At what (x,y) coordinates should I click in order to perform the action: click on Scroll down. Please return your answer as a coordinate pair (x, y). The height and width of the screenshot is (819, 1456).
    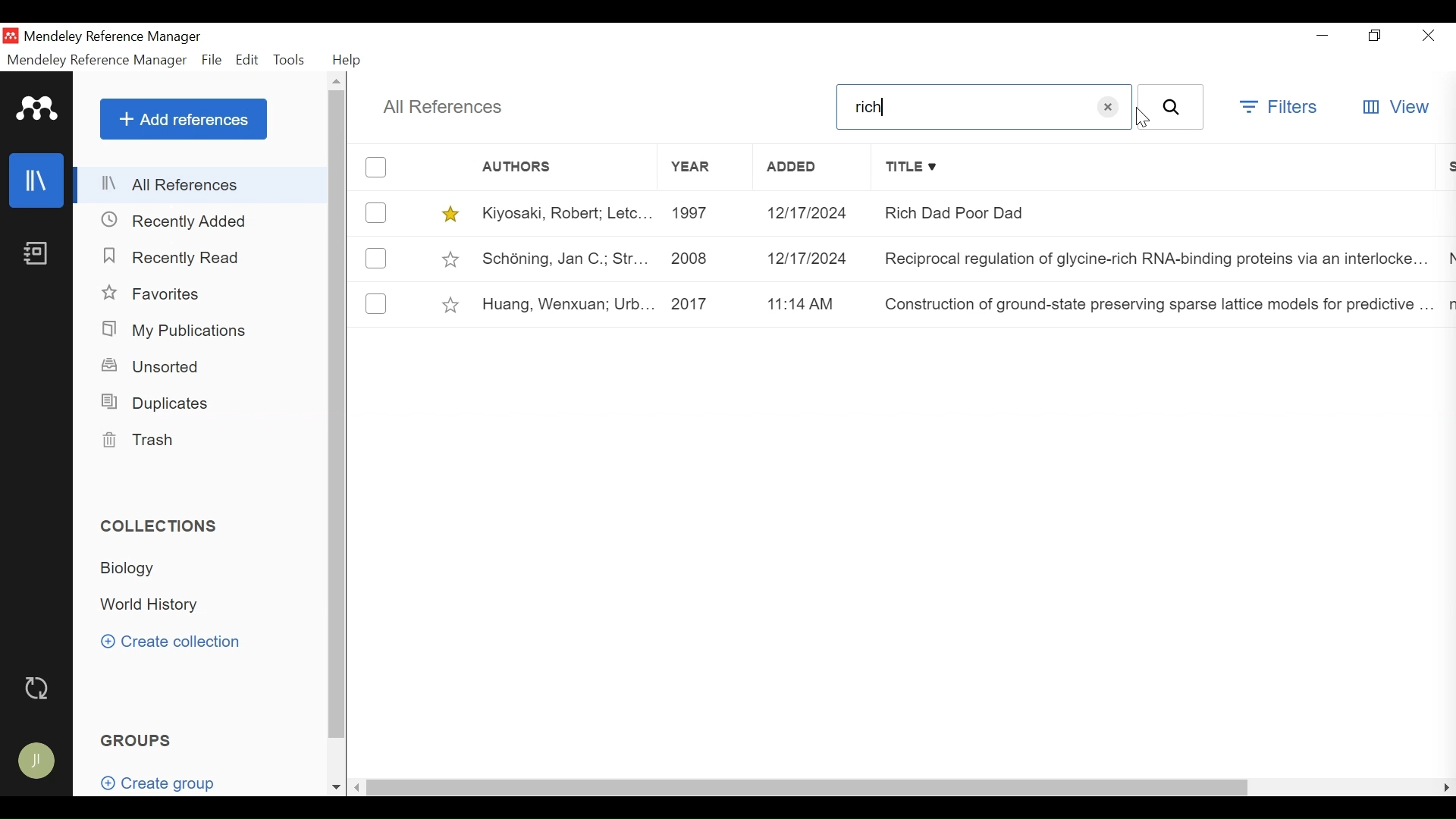
    Looking at the image, I should click on (336, 787).